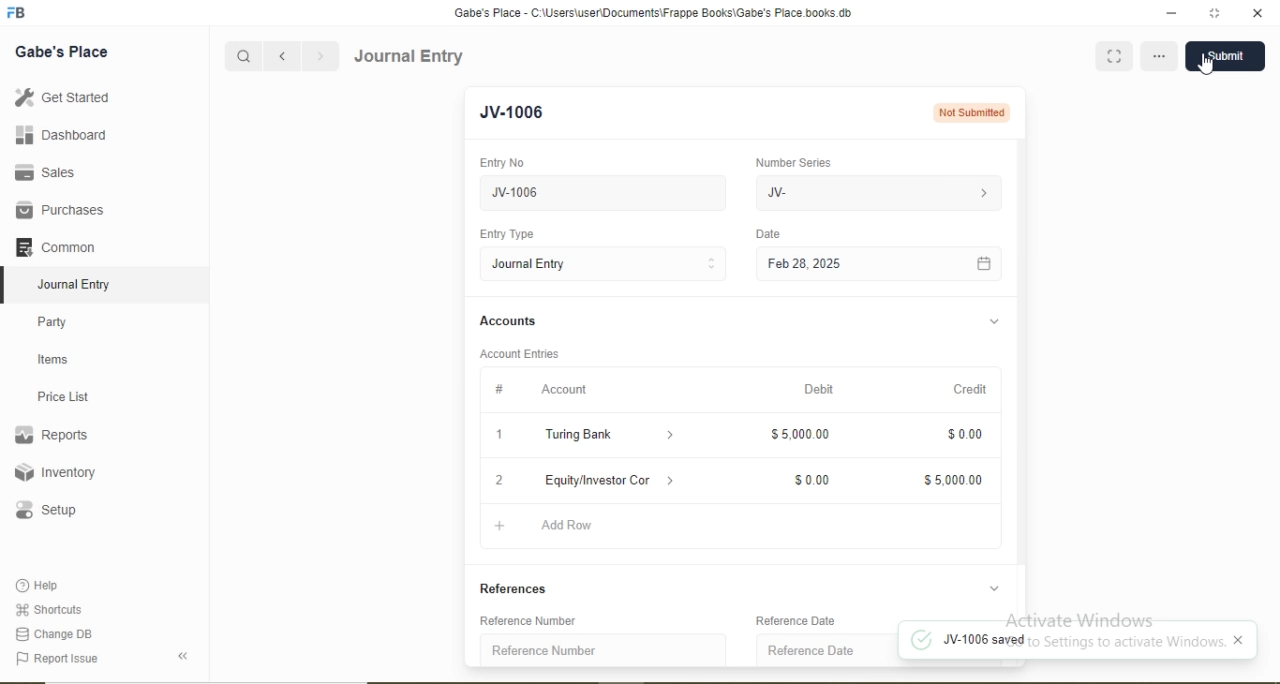 Image resolution: width=1280 pixels, height=684 pixels. What do you see at coordinates (567, 525) in the screenshot?
I see `Add Row` at bounding box center [567, 525].